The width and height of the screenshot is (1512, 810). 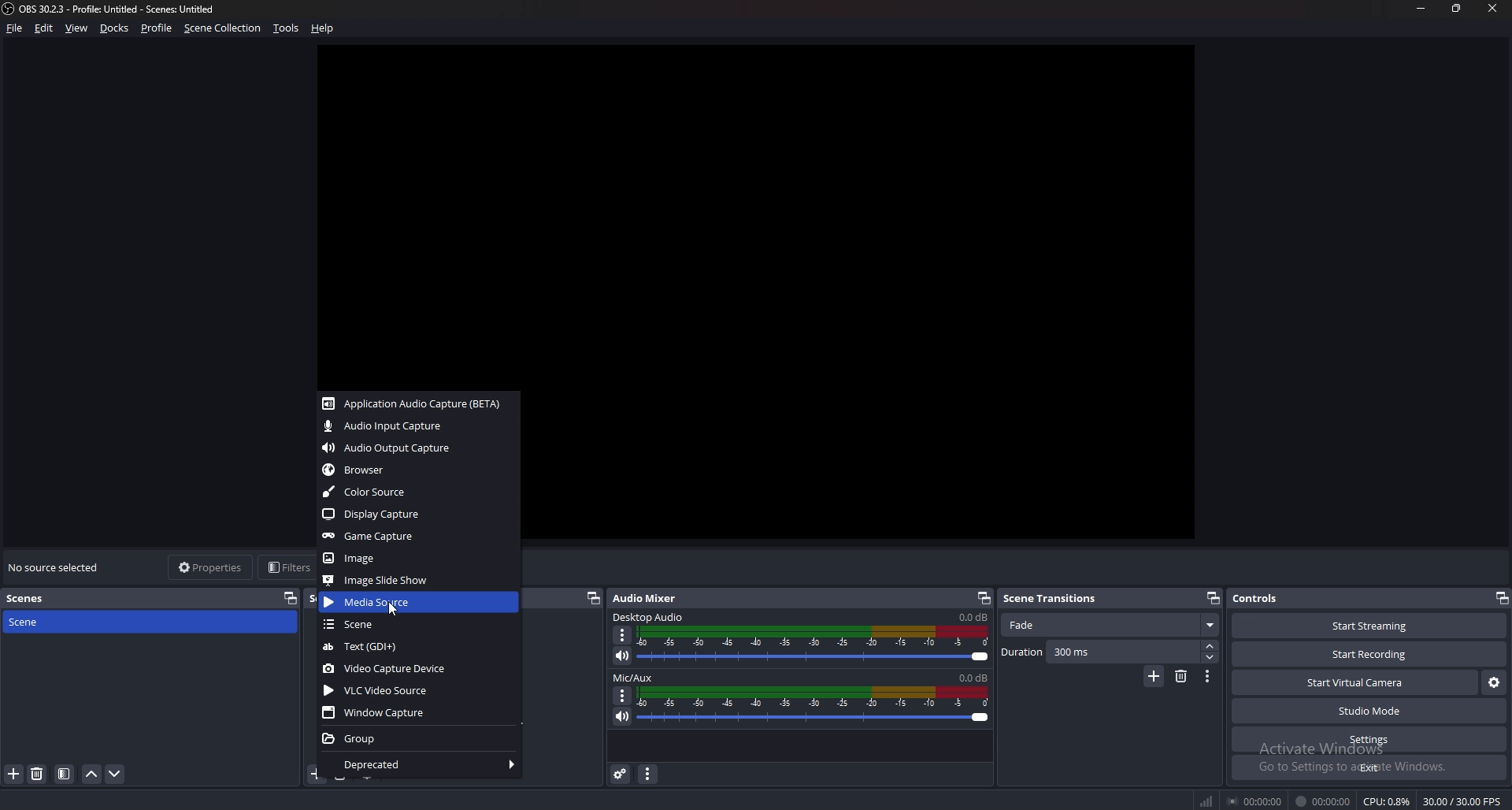 What do you see at coordinates (424, 765) in the screenshot?
I see `Deprecated ` at bounding box center [424, 765].